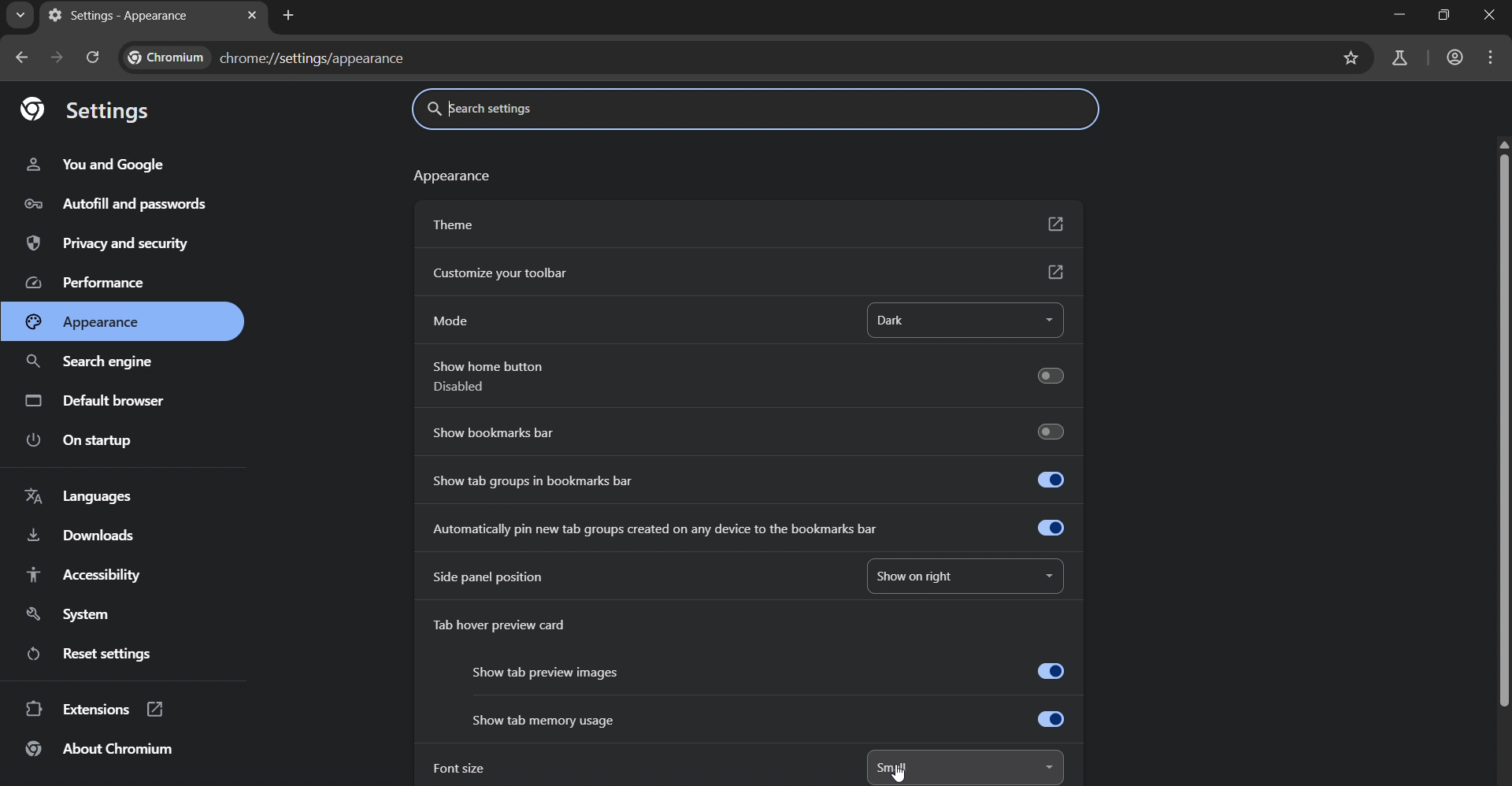 This screenshot has height=786, width=1512. I want to click on downloads, so click(83, 534).